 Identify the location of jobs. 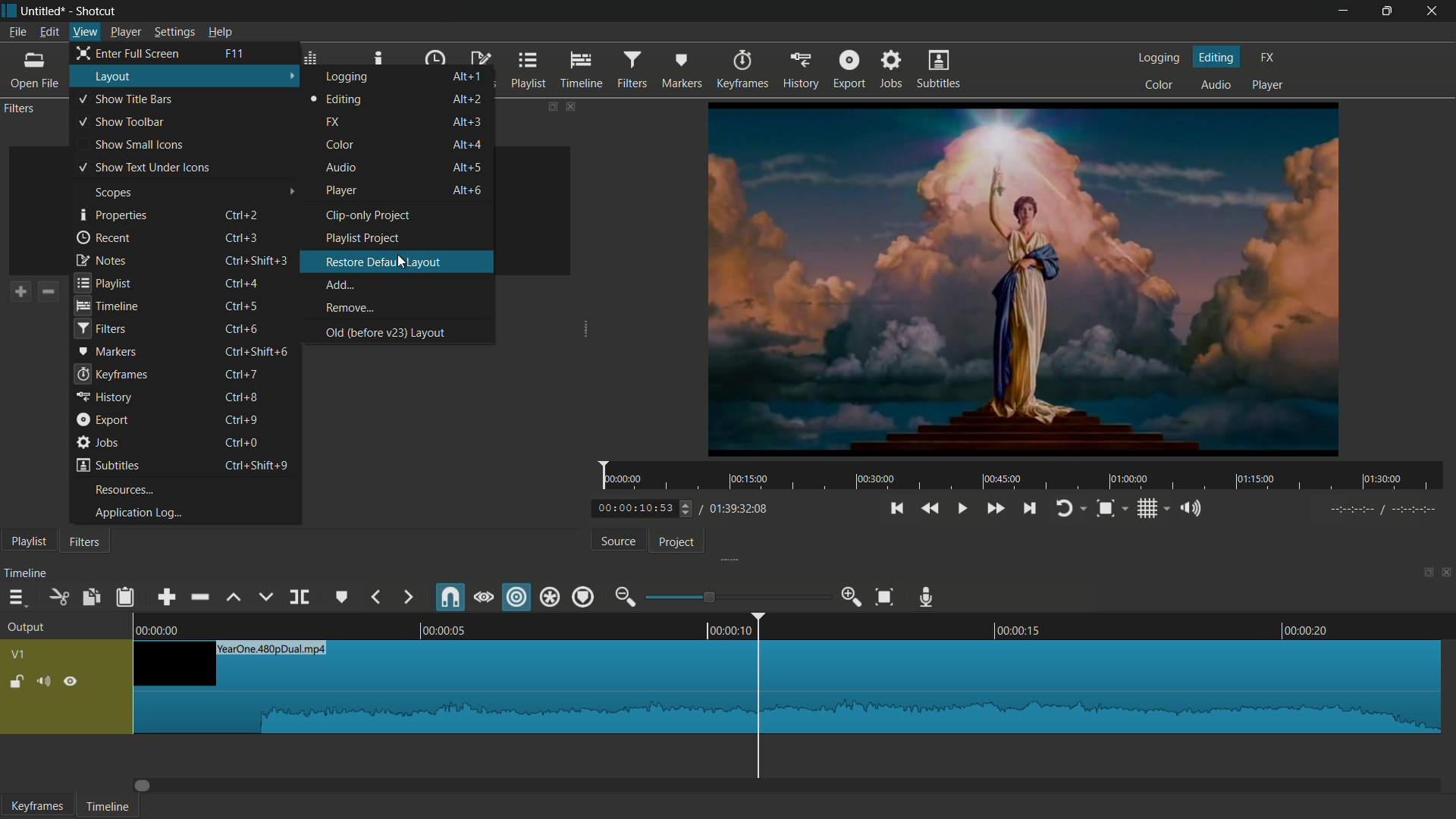
(890, 70).